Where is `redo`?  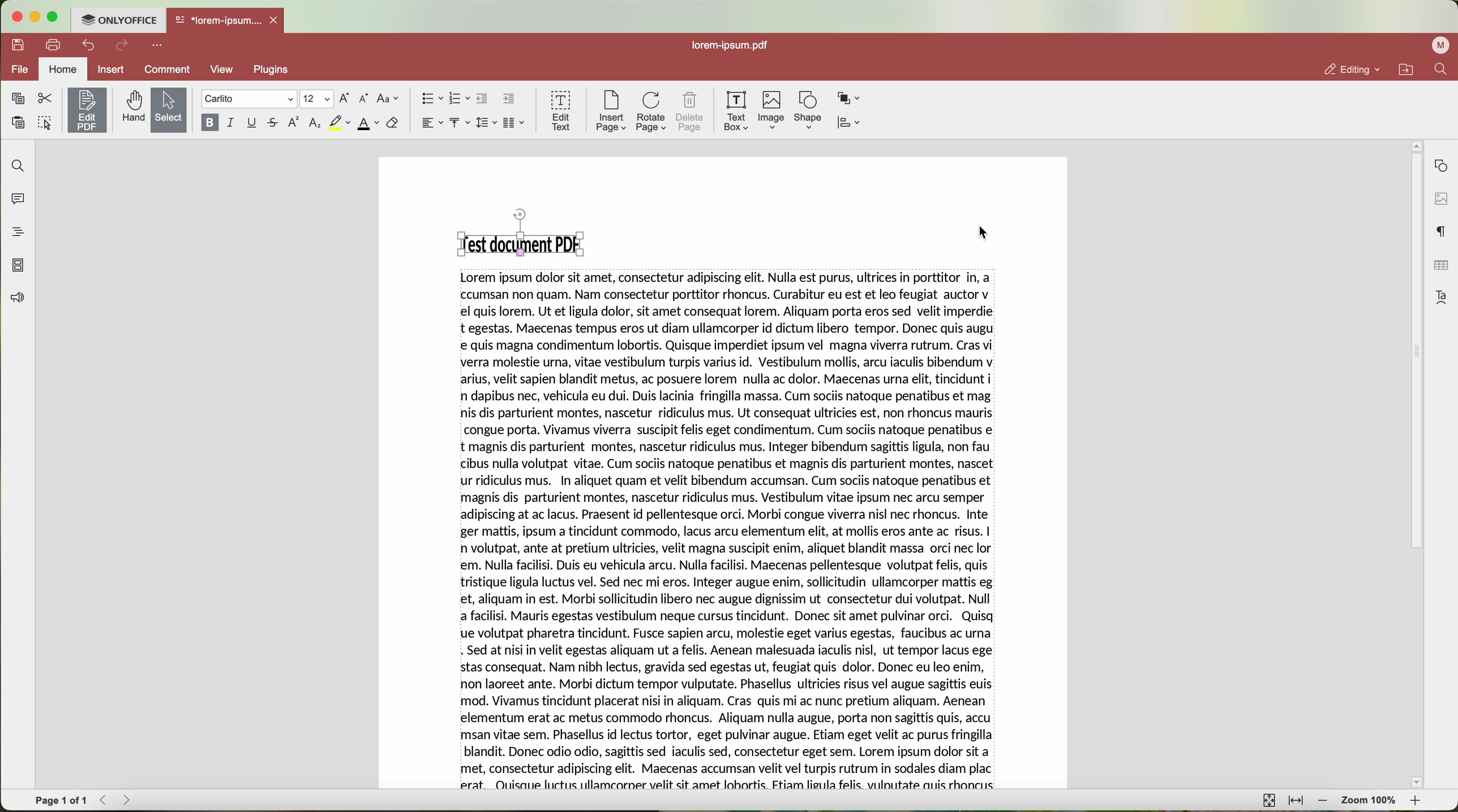
redo is located at coordinates (123, 46).